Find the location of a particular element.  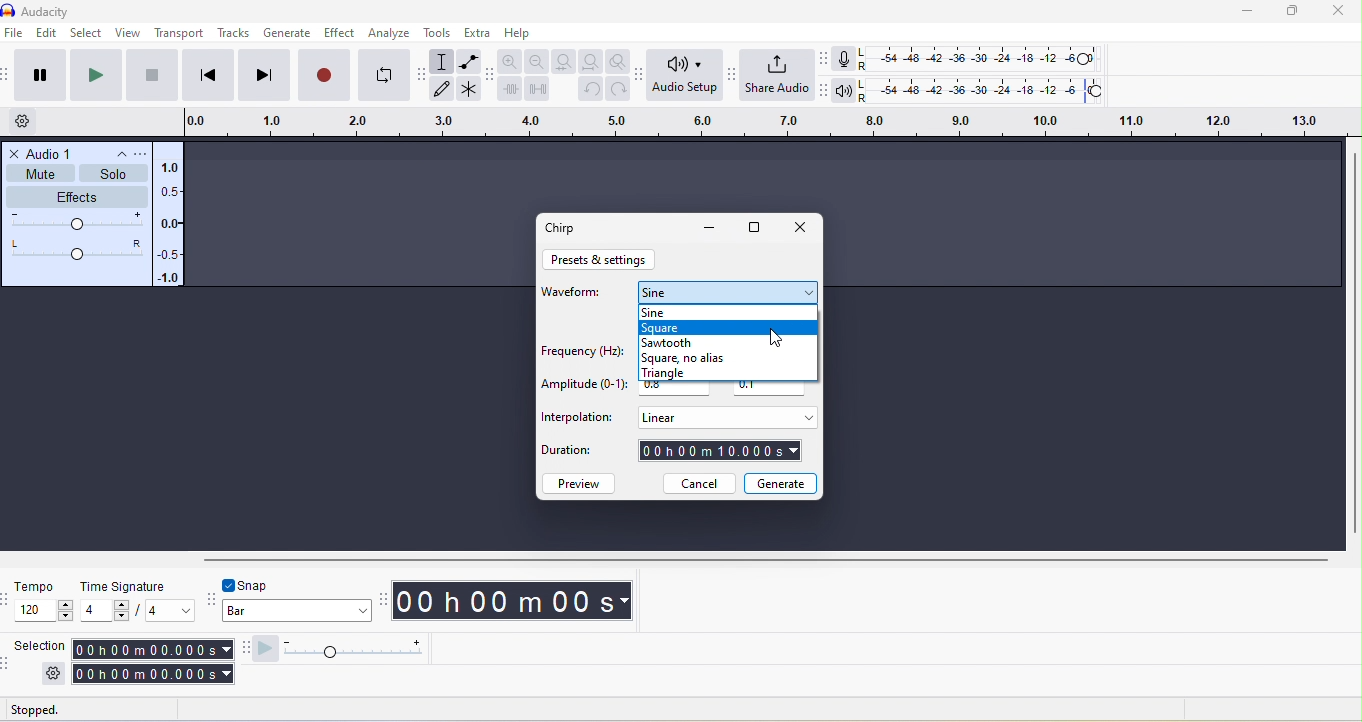

sine is located at coordinates (728, 292).